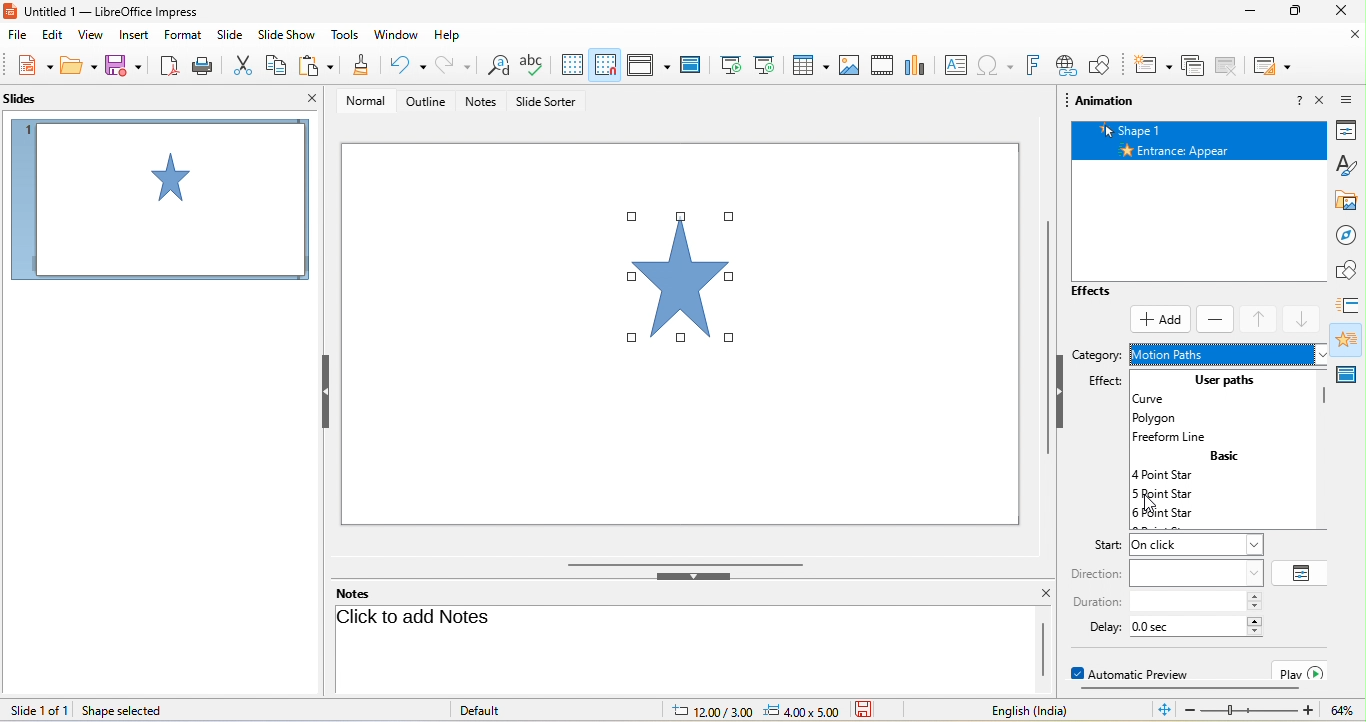 This screenshot has height=722, width=1366. Describe the element at coordinates (575, 63) in the screenshot. I see `display to grid` at that location.